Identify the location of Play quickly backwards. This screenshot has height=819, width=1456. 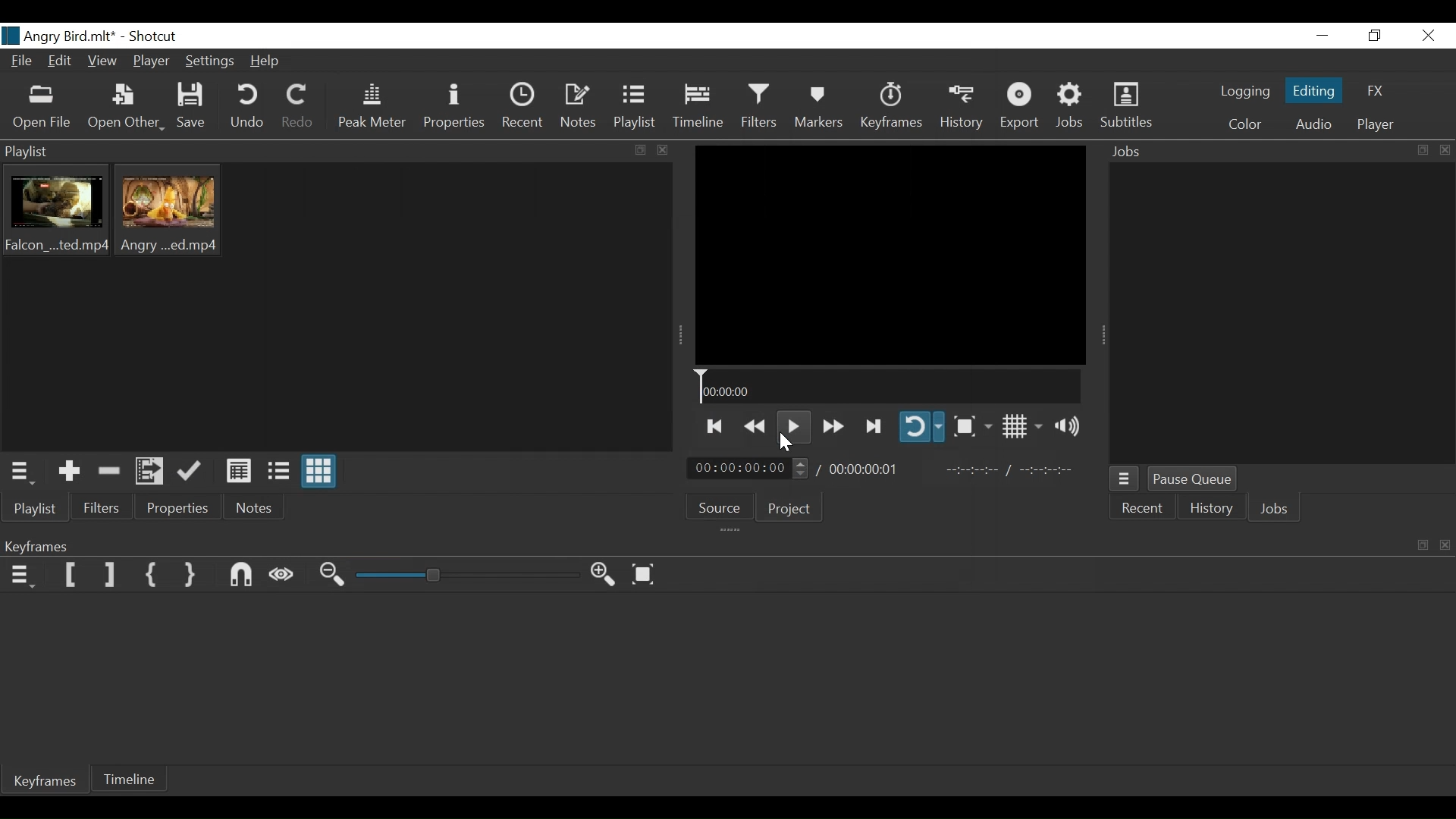
(755, 425).